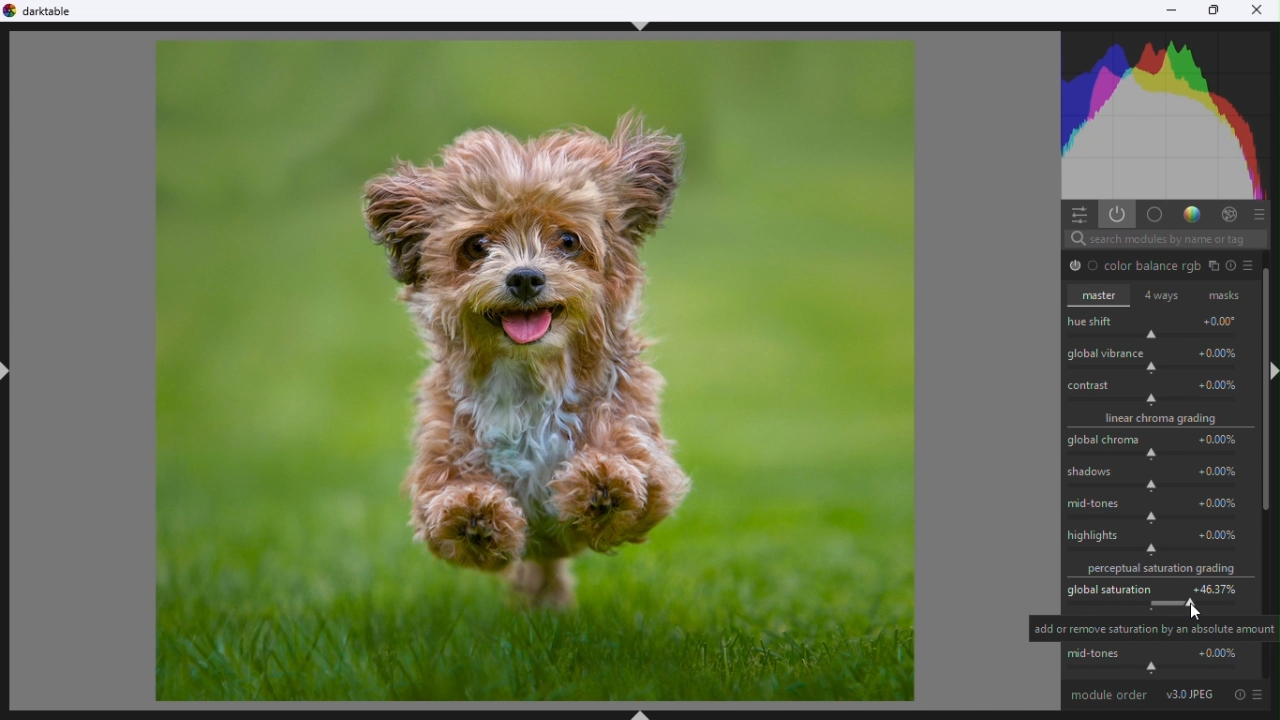  Describe the element at coordinates (1229, 215) in the screenshot. I see `Effect` at that location.